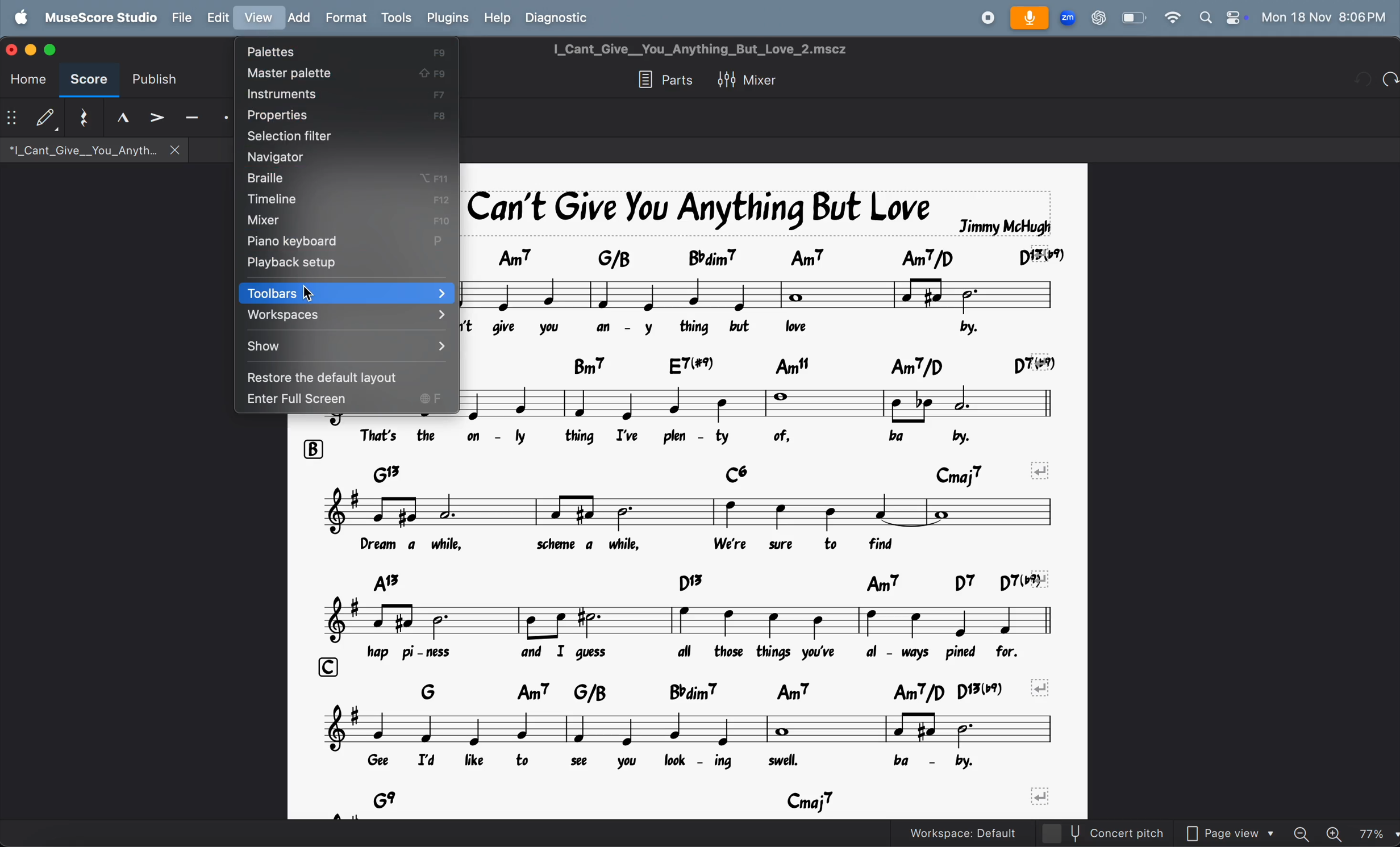 The image size is (1400, 847). I want to click on instrument, so click(348, 94).